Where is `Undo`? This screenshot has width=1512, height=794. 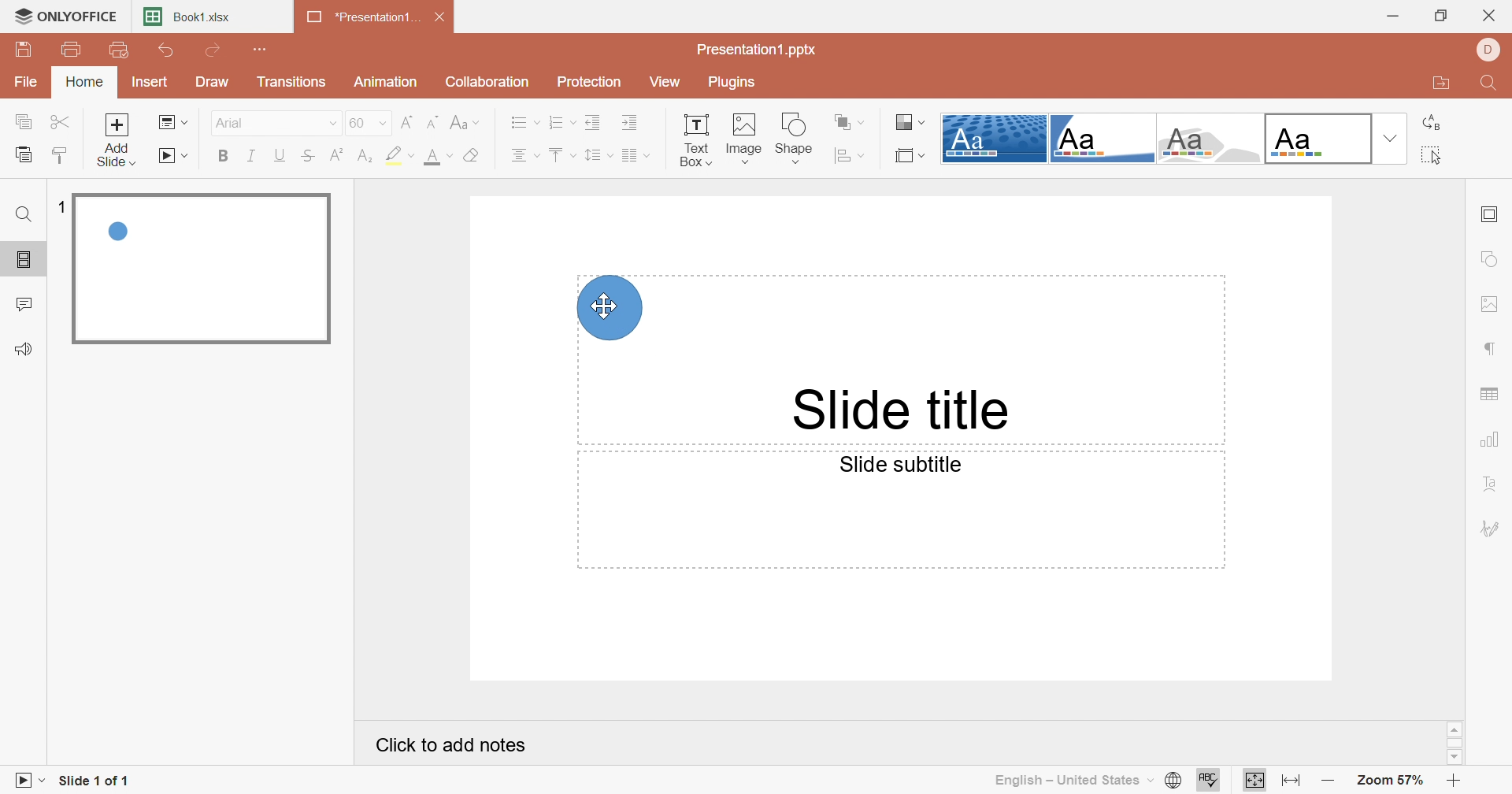
Undo is located at coordinates (169, 50).